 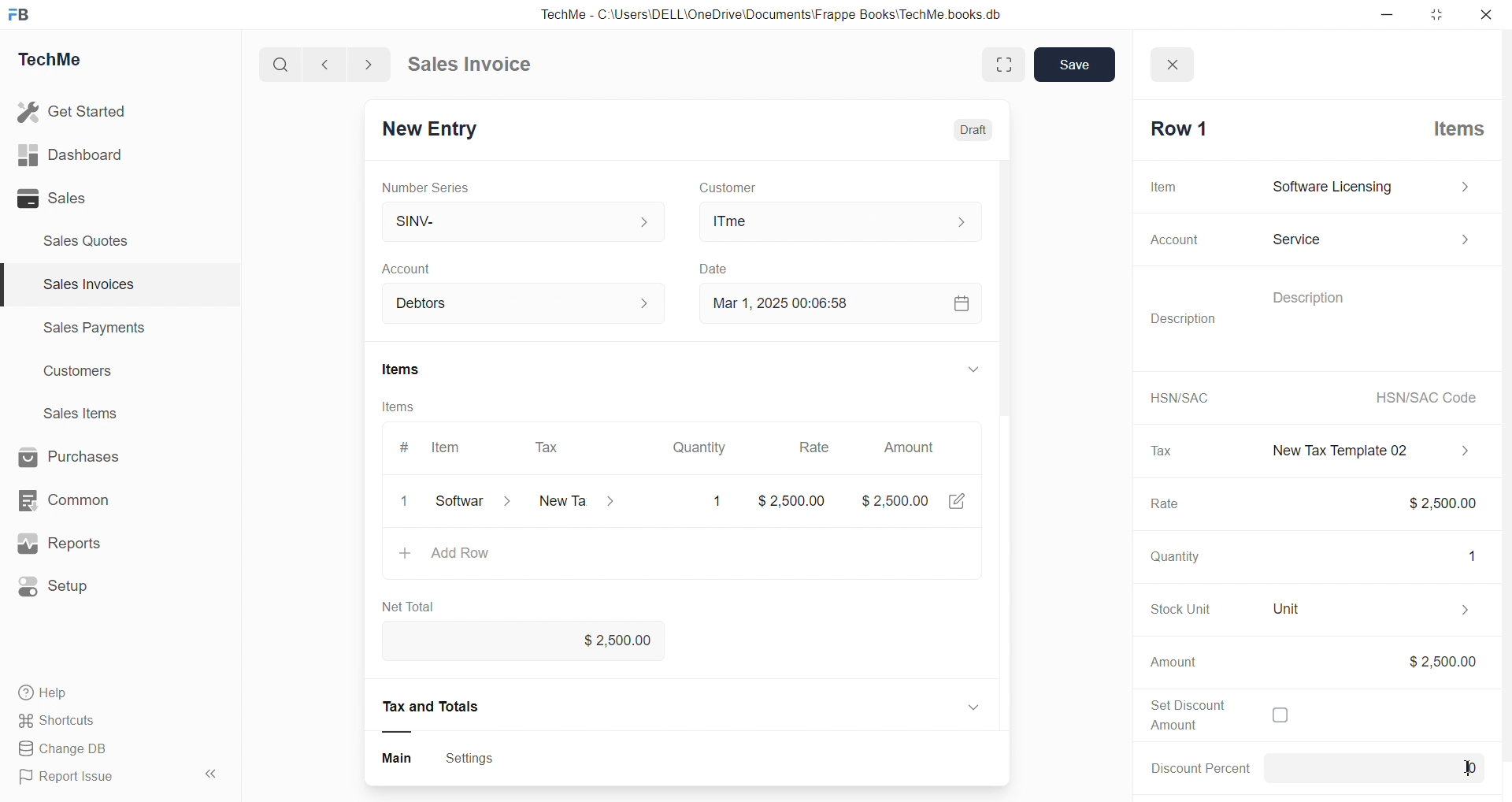 I want to click on Description, so click(x=1188, y=318).